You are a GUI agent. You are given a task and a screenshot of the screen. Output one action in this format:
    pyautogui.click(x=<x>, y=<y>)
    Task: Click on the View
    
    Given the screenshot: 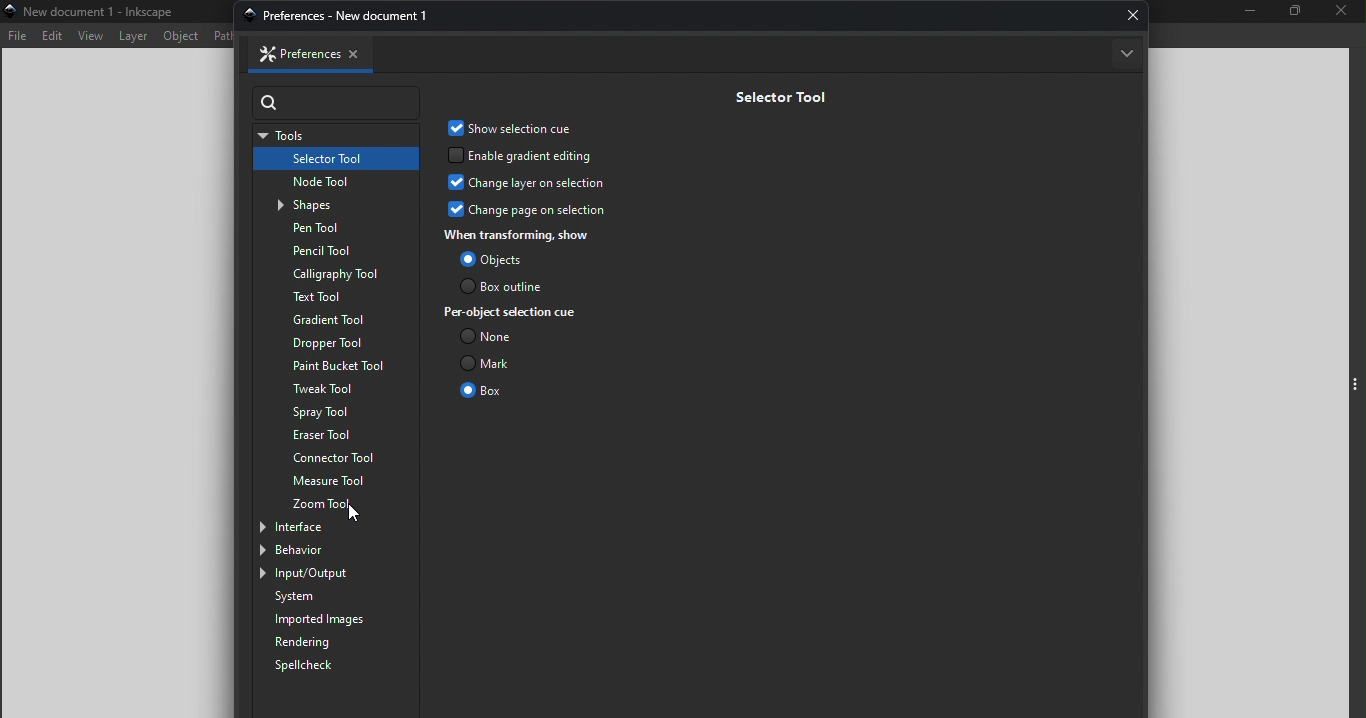 What is the action you would take?
    pyautogui.click(x=91, y=37)
    